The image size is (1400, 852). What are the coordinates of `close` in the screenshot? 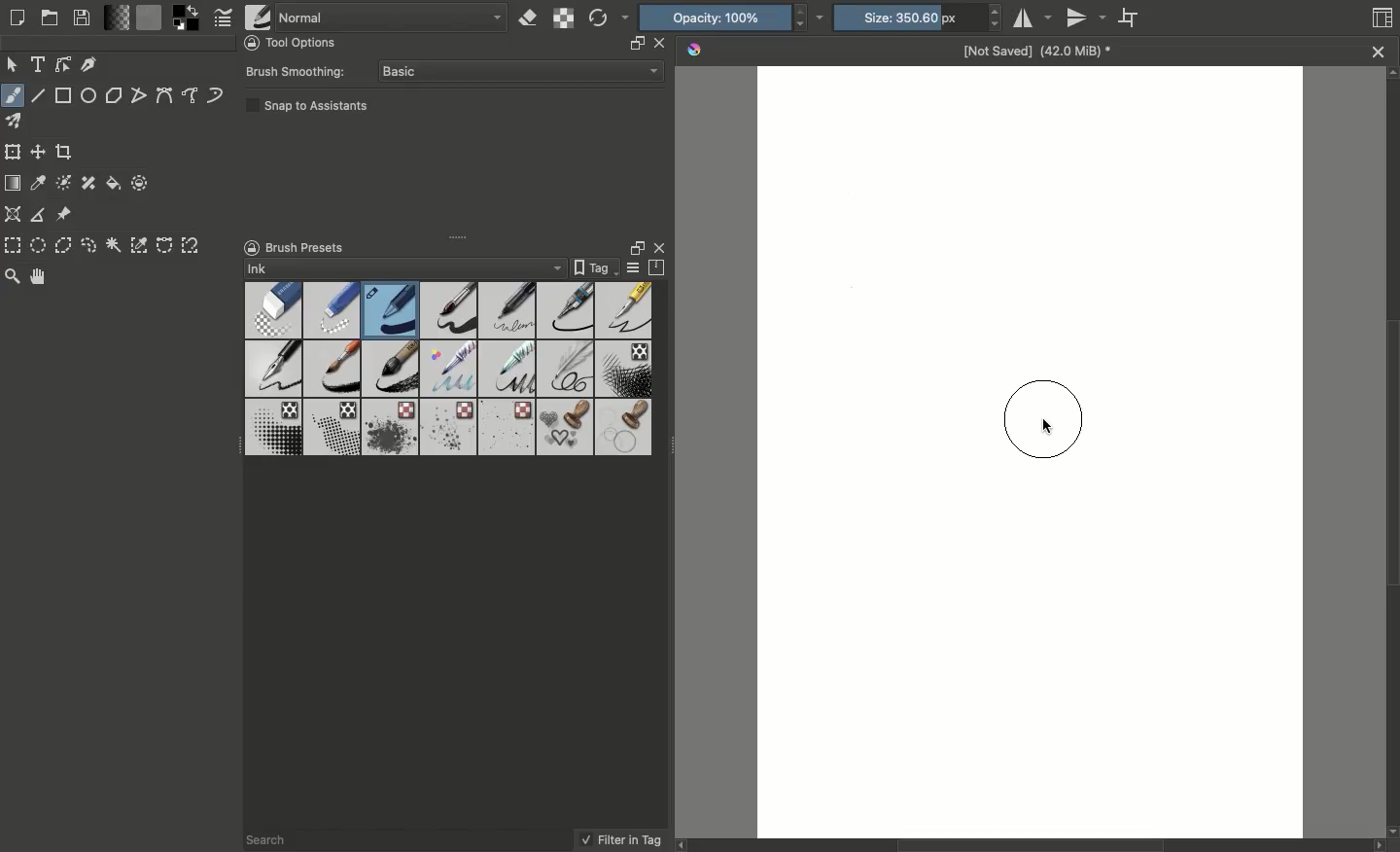 It's located at (1379, 53).